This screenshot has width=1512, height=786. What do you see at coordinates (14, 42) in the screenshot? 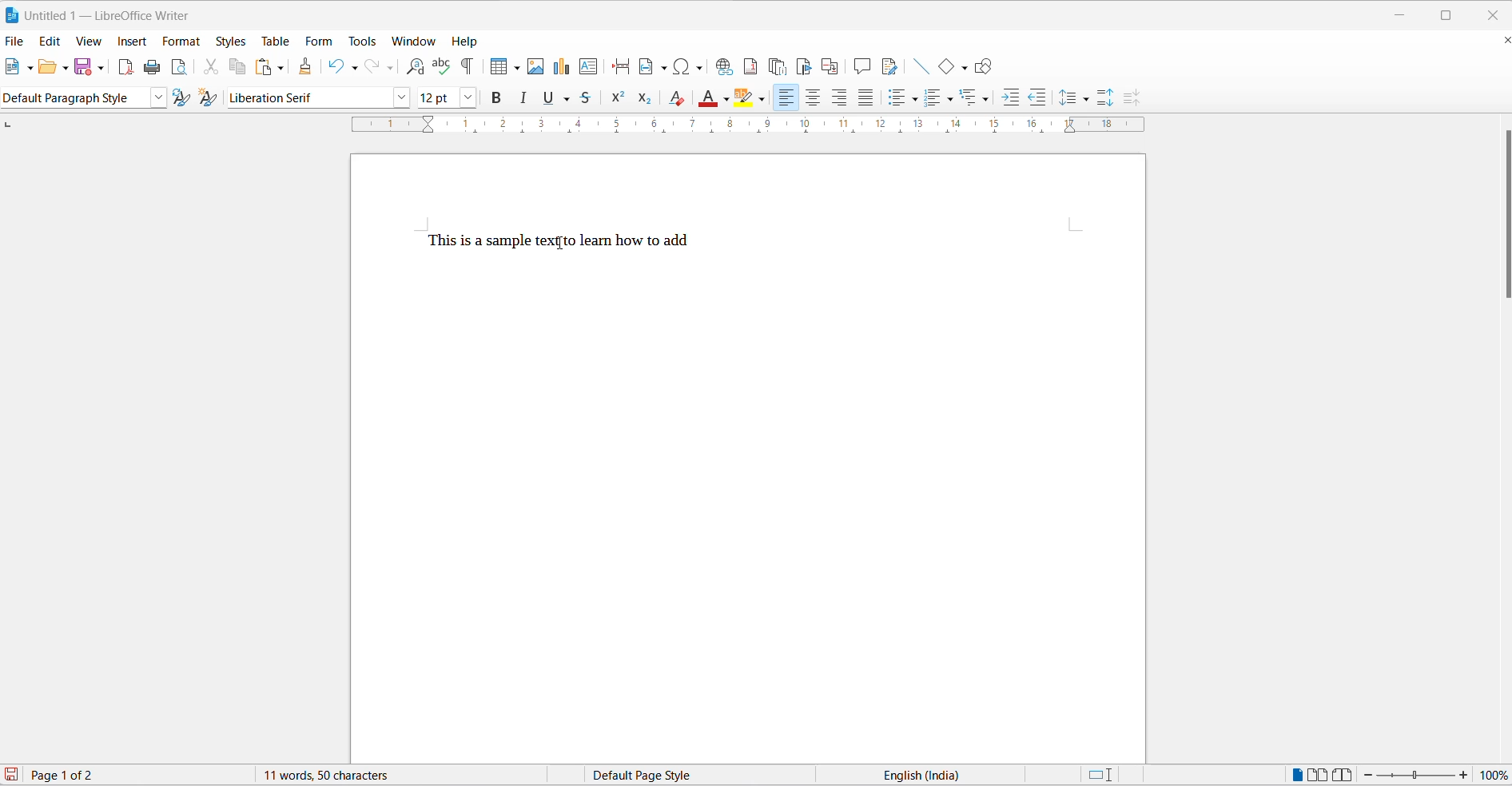
I see `file` at bounding box center [14, 42].